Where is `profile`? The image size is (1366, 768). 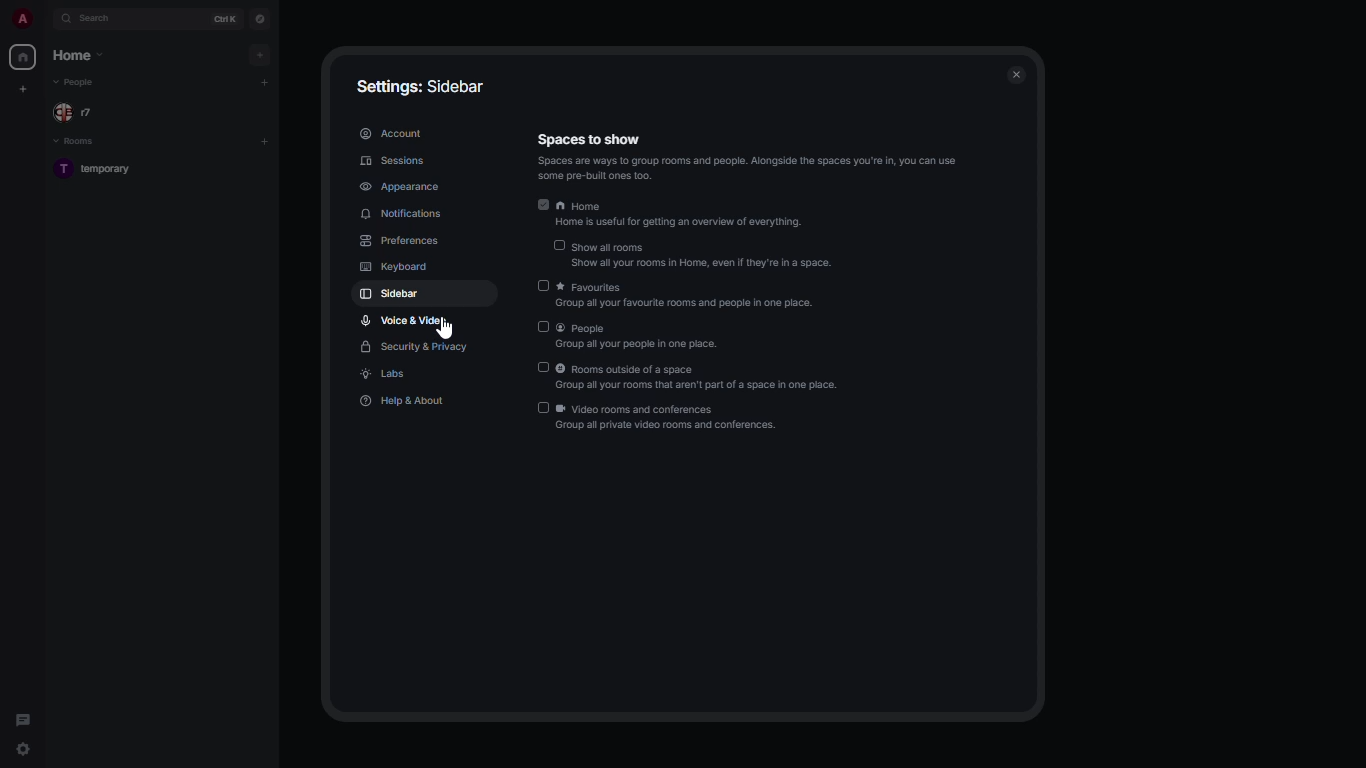 profile is located at coordinates (22, 19).